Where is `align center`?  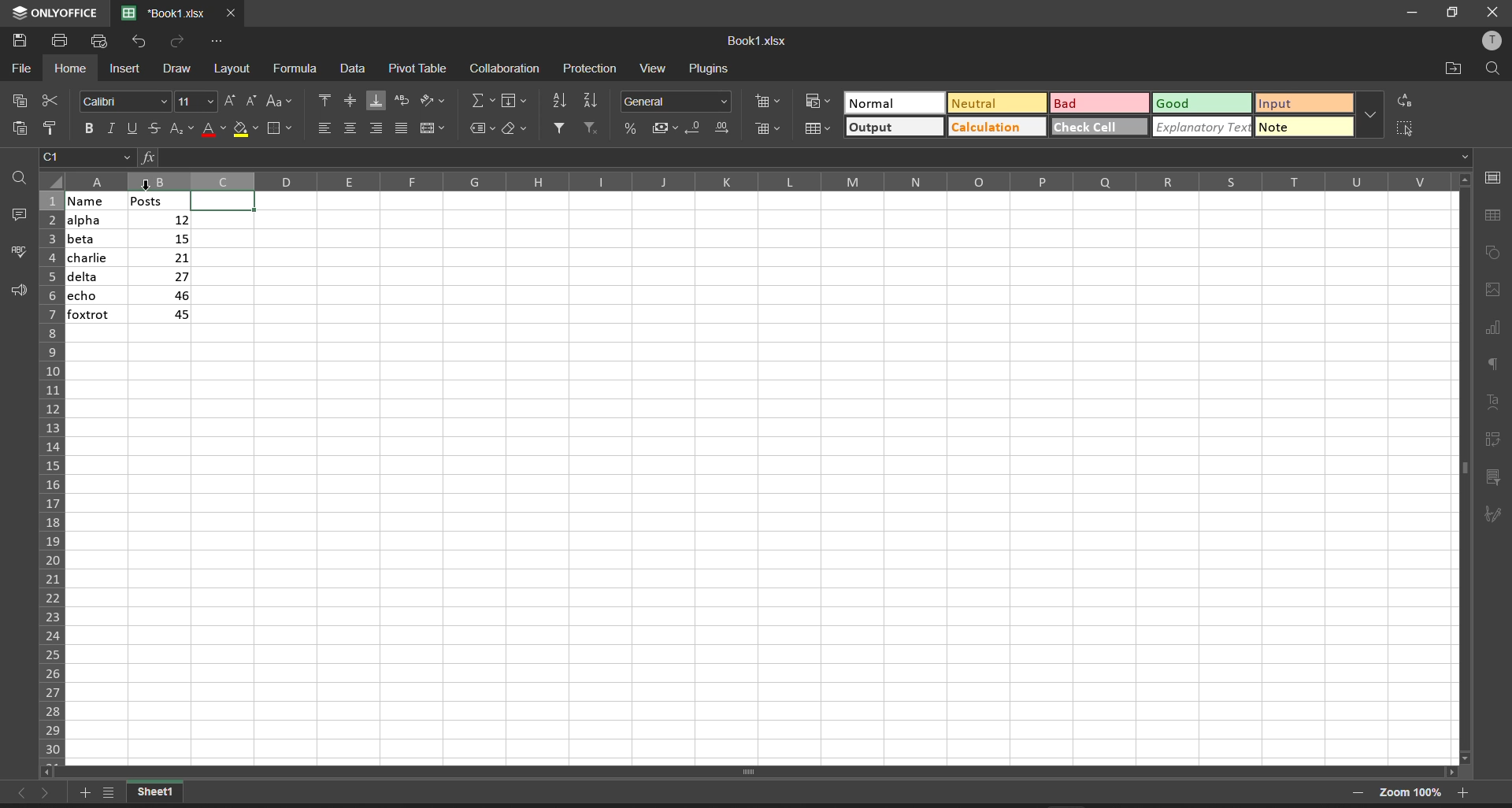 align center is located at coordinates (346, 101).